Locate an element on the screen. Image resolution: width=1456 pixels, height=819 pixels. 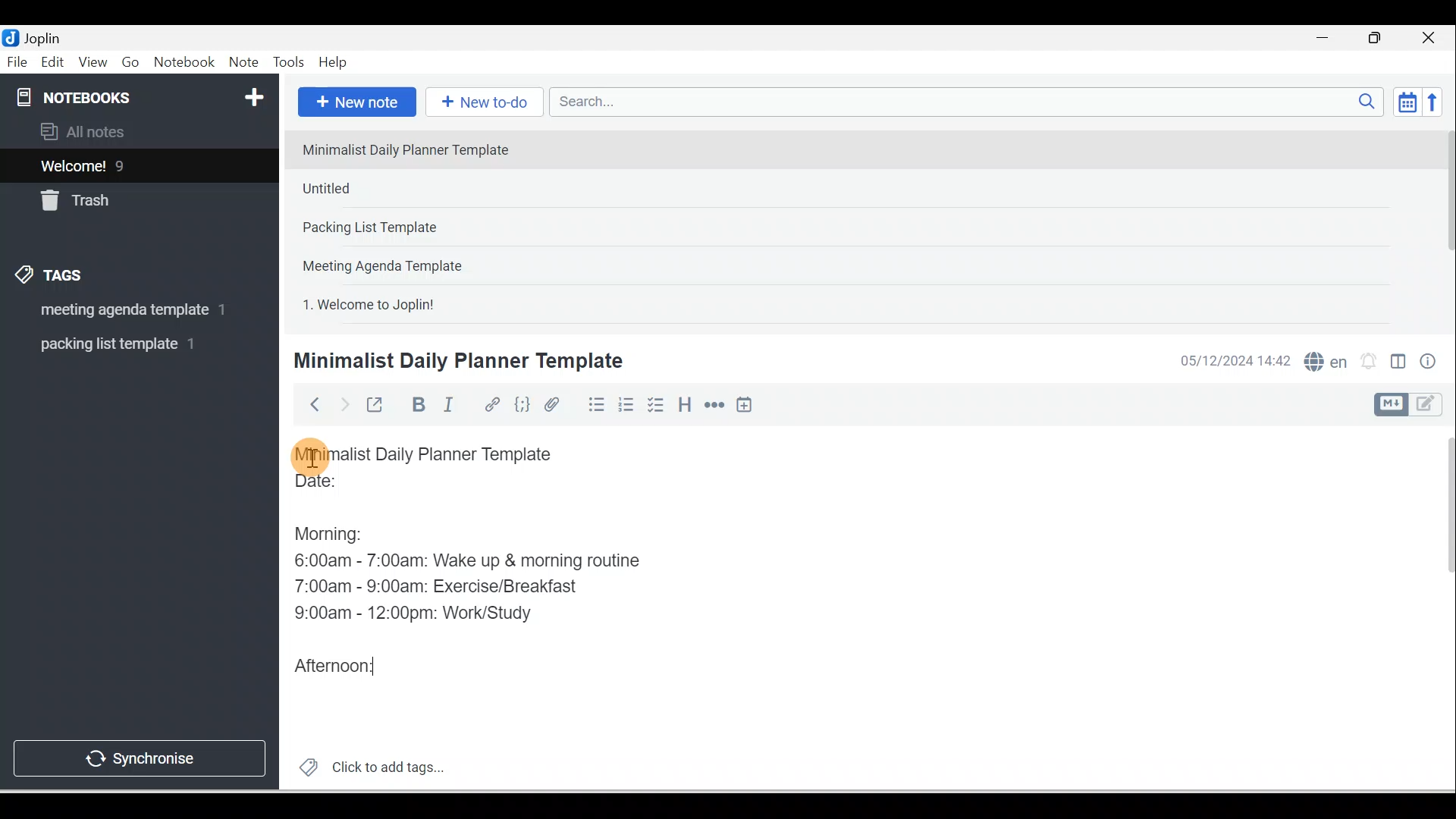
Search bar is located at coordinates (971, 102).